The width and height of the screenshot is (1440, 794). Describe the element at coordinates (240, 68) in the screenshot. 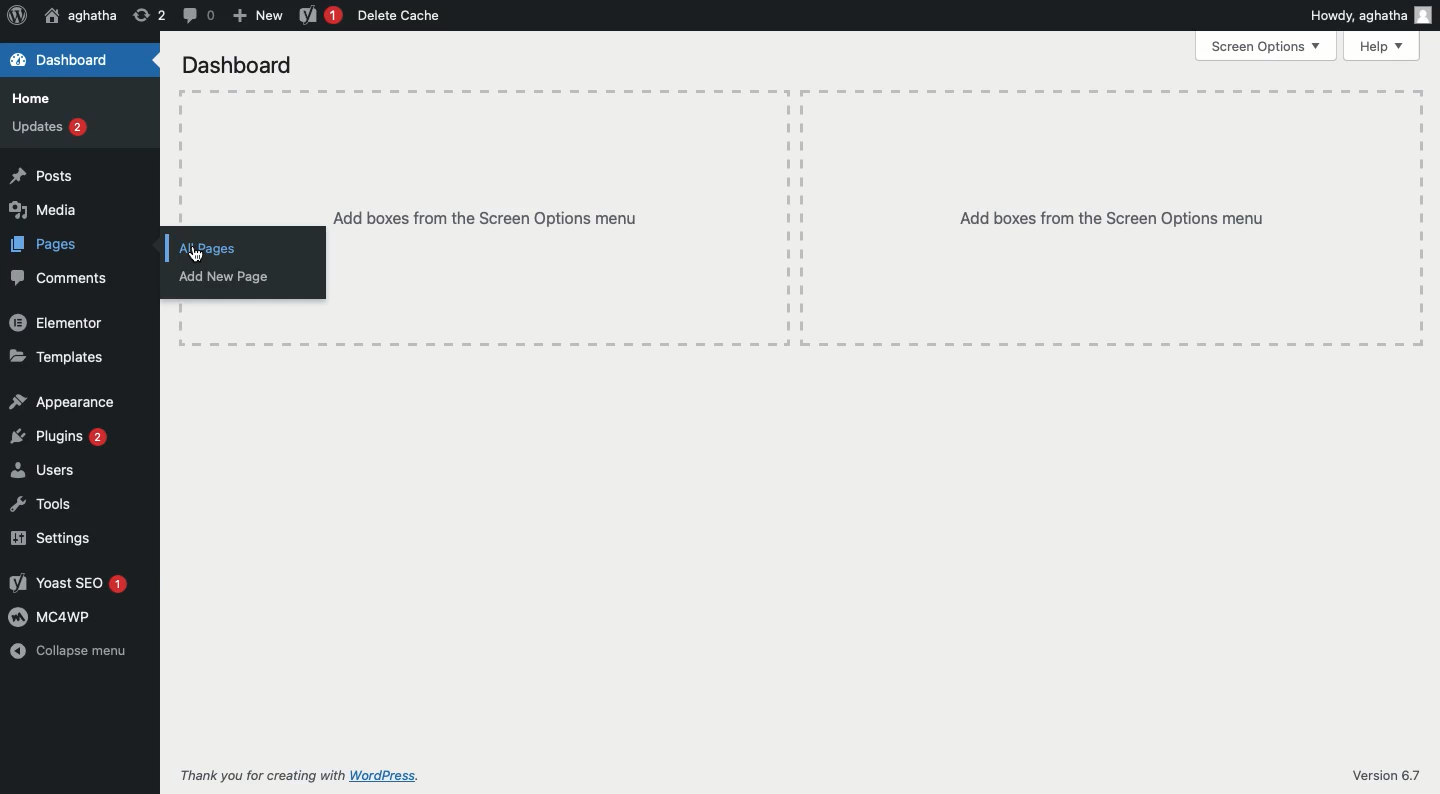

I see `Dashboard` at that location.